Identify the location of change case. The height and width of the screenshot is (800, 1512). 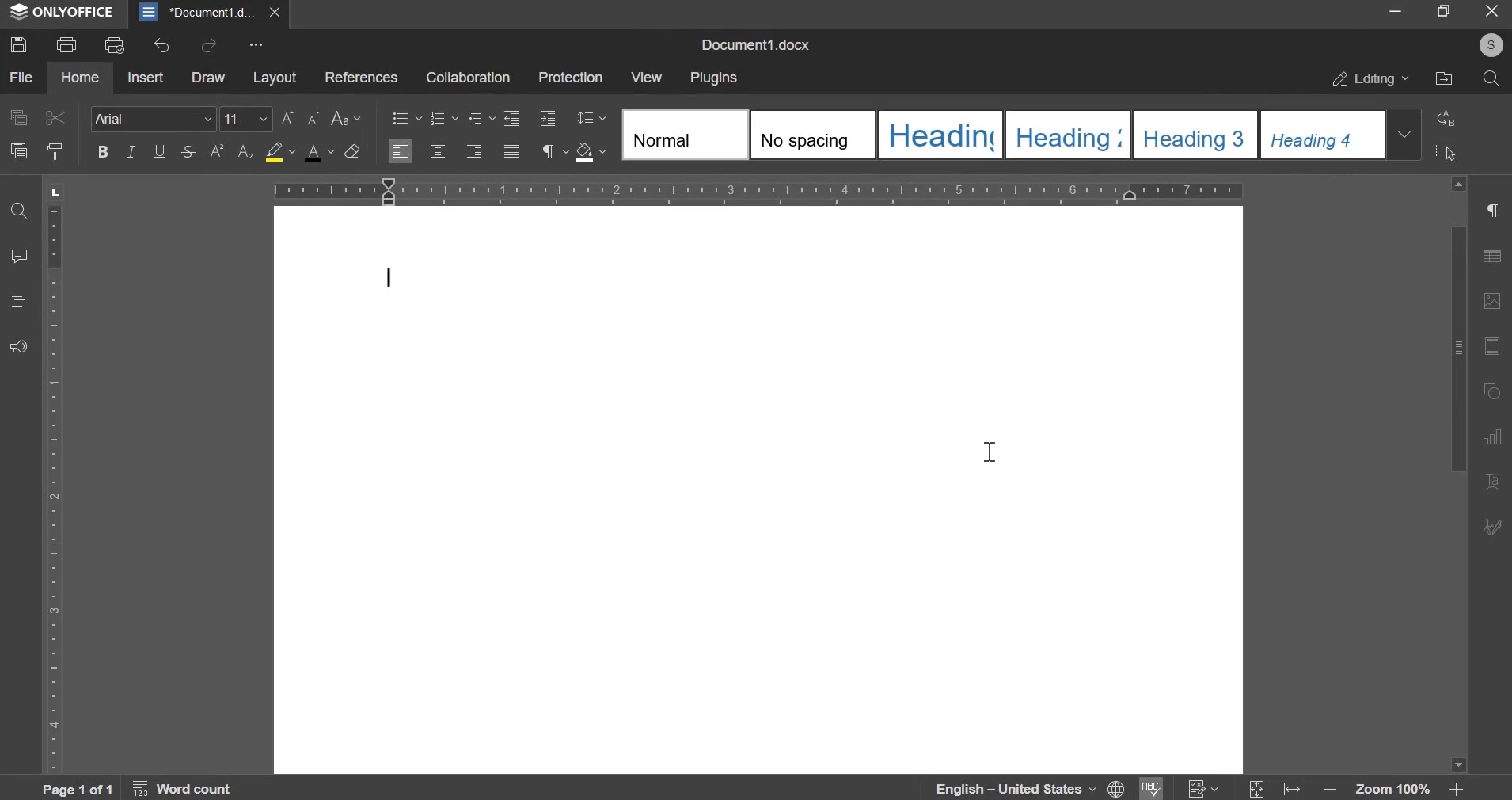
(352, 120).